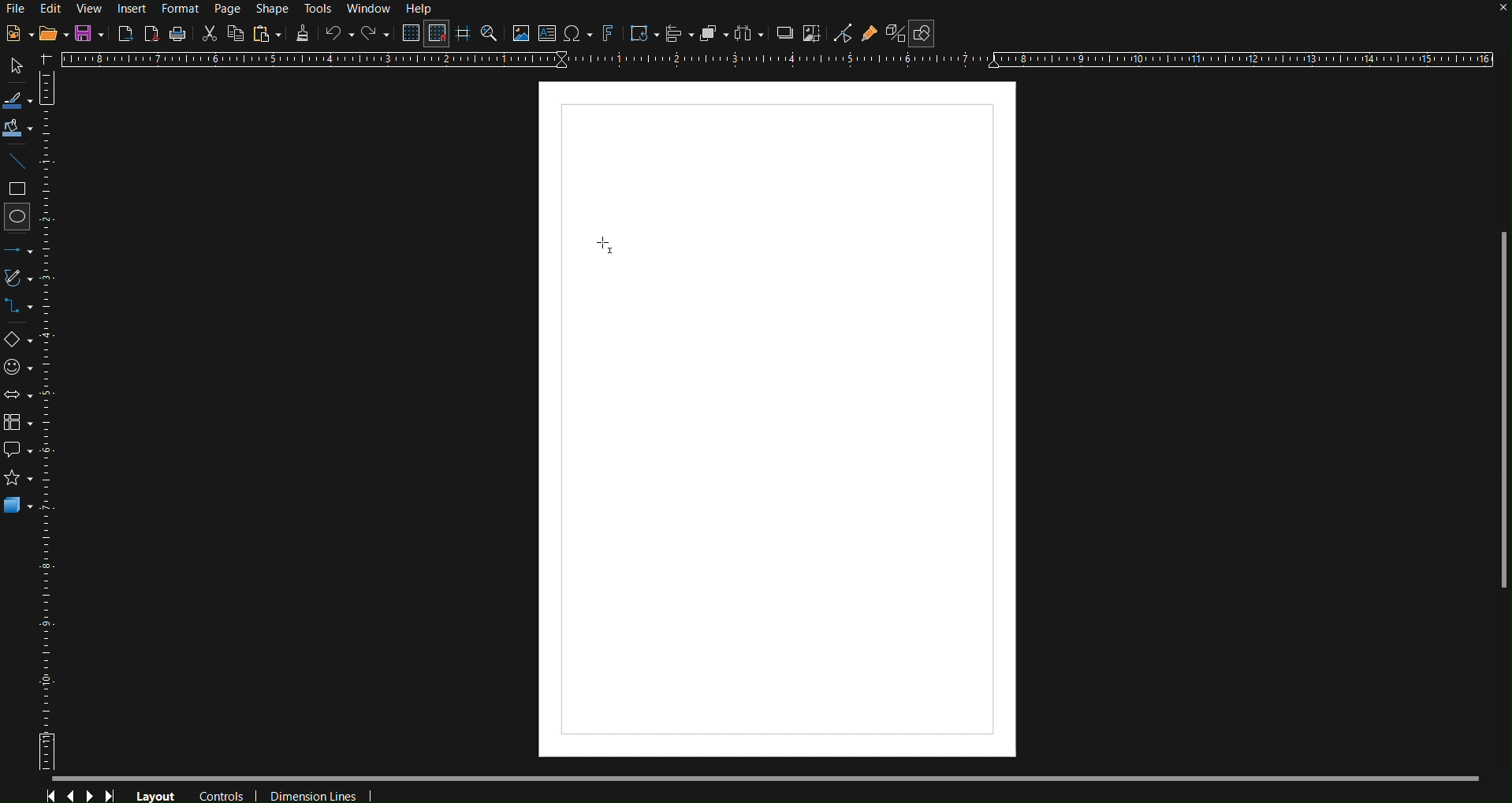 The image size is (1512, 803). Describe the element at coordinates (23, 311) in the screenshot. I see `Connectors` at that location.